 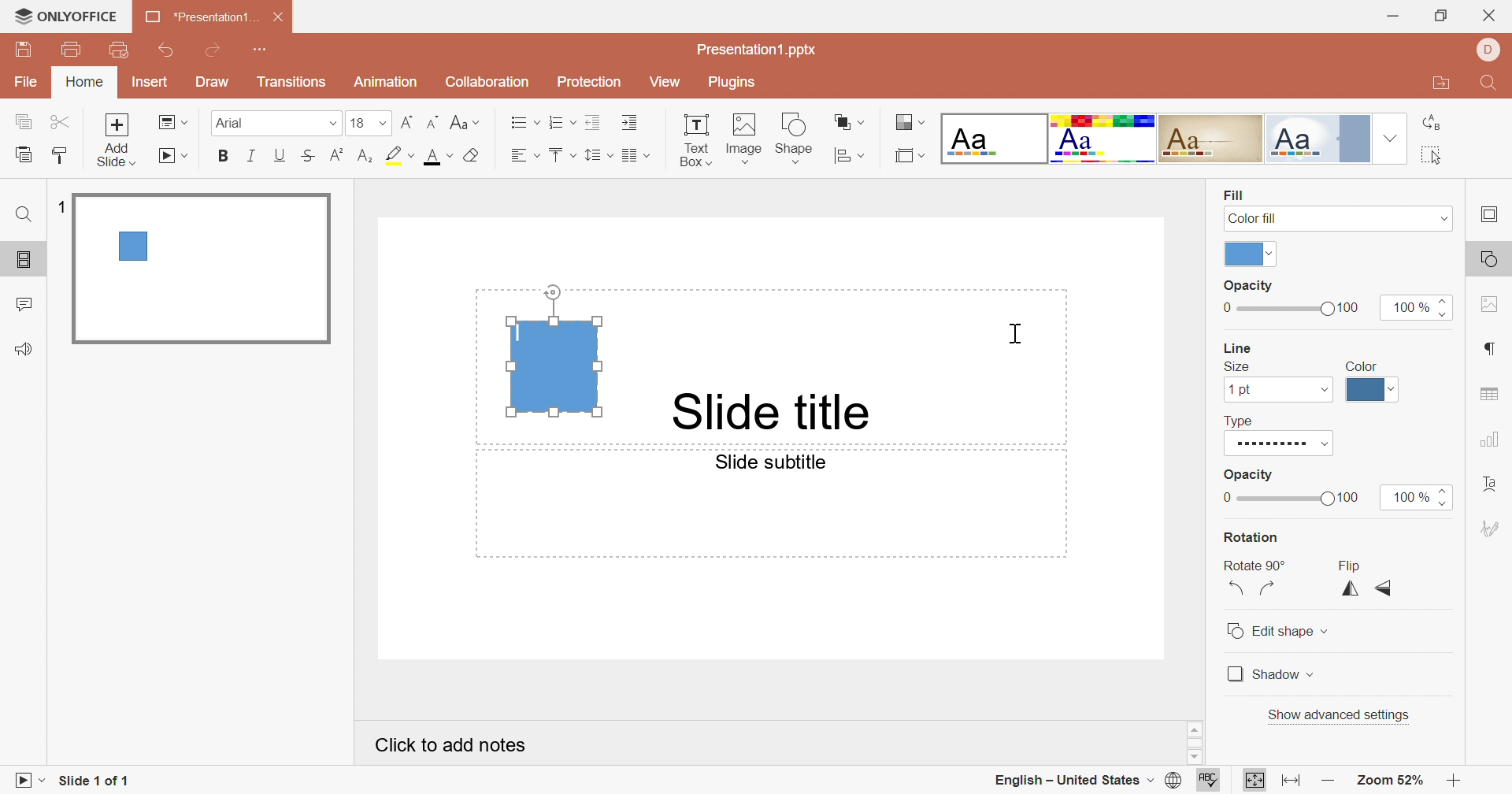 I want to click on Collaboration, so click(x=488, y=83).